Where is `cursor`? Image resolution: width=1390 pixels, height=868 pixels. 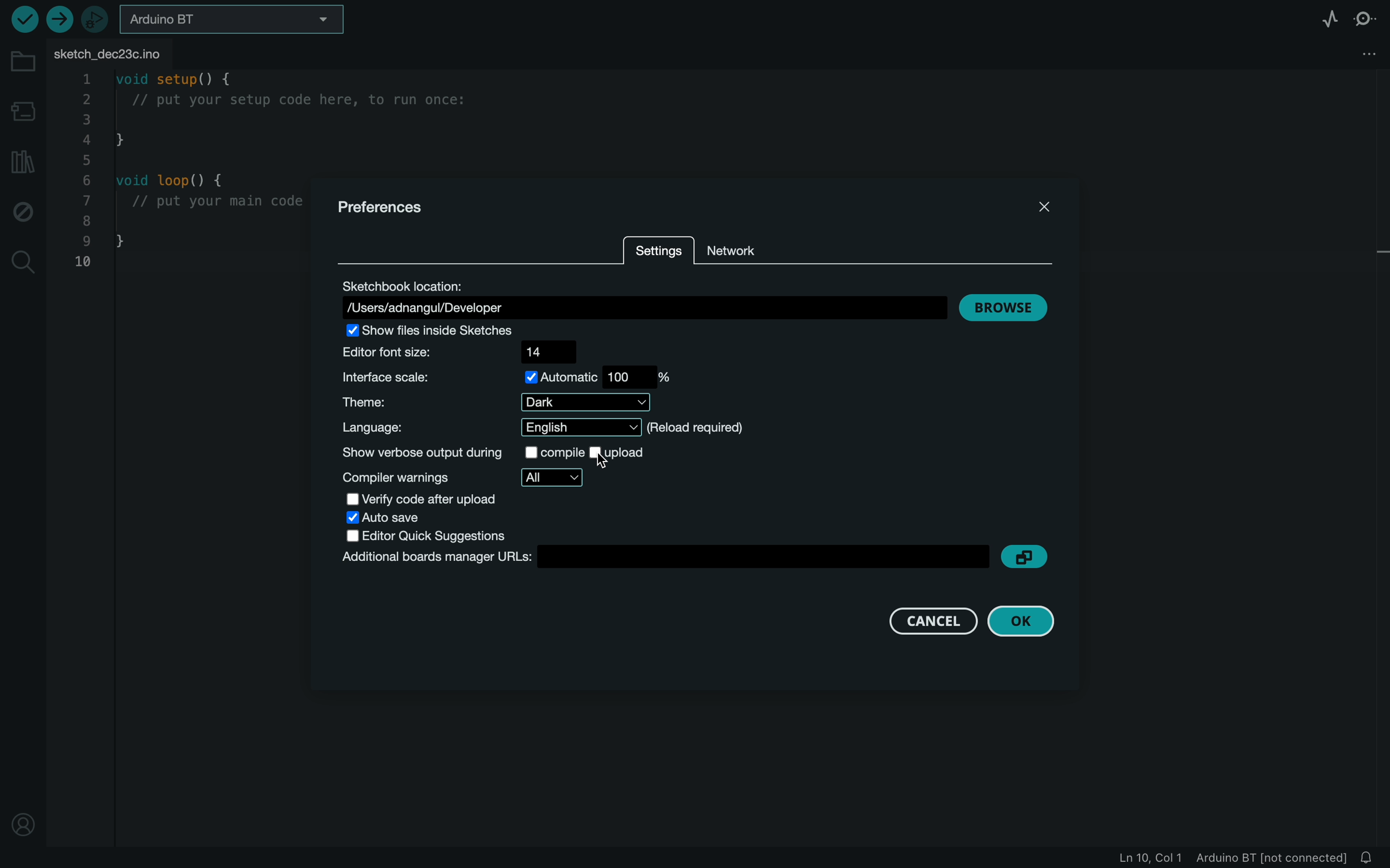
cursor is located at coordinates (599, 455).